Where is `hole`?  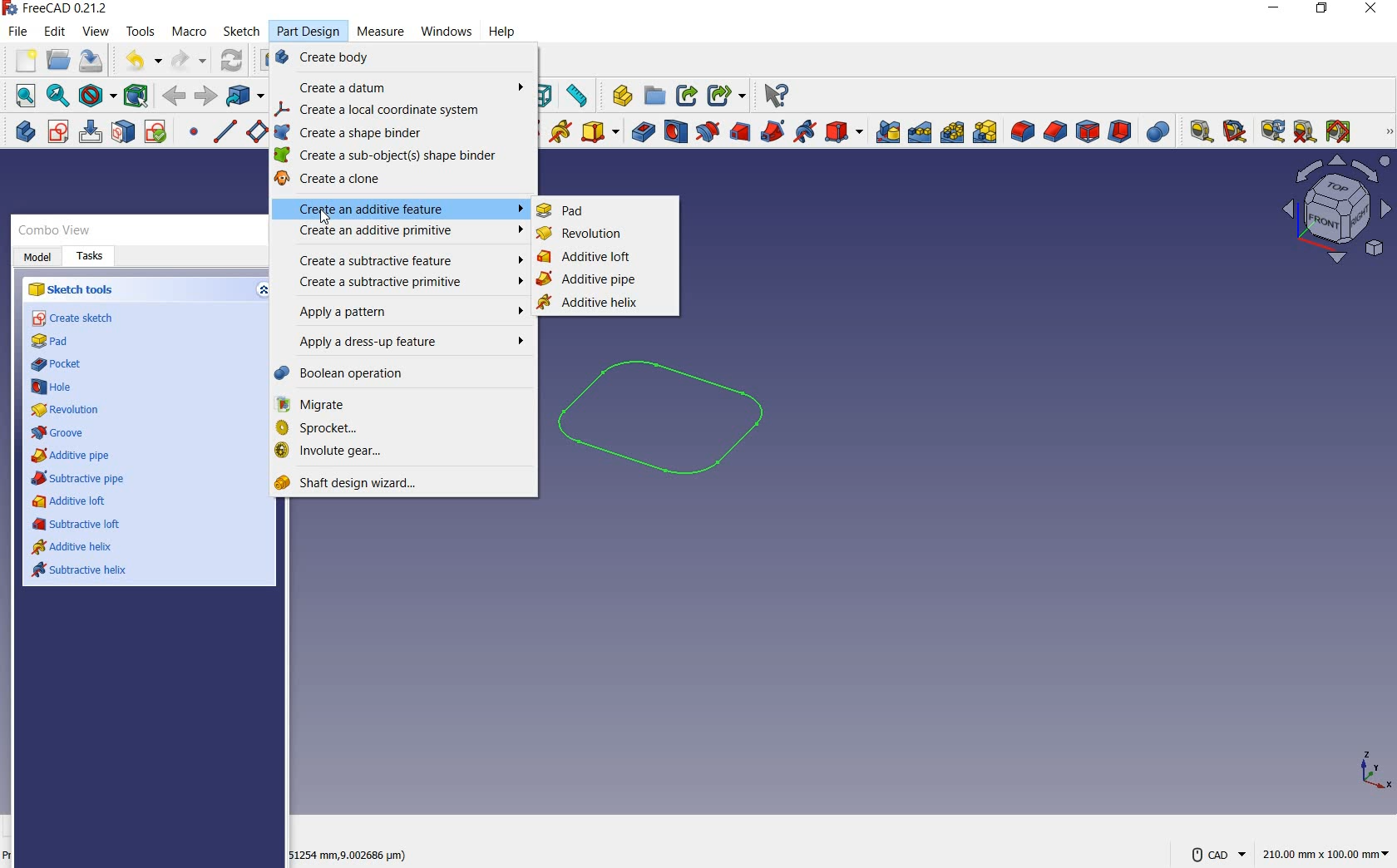 hole is located at coordinates (56, 387).